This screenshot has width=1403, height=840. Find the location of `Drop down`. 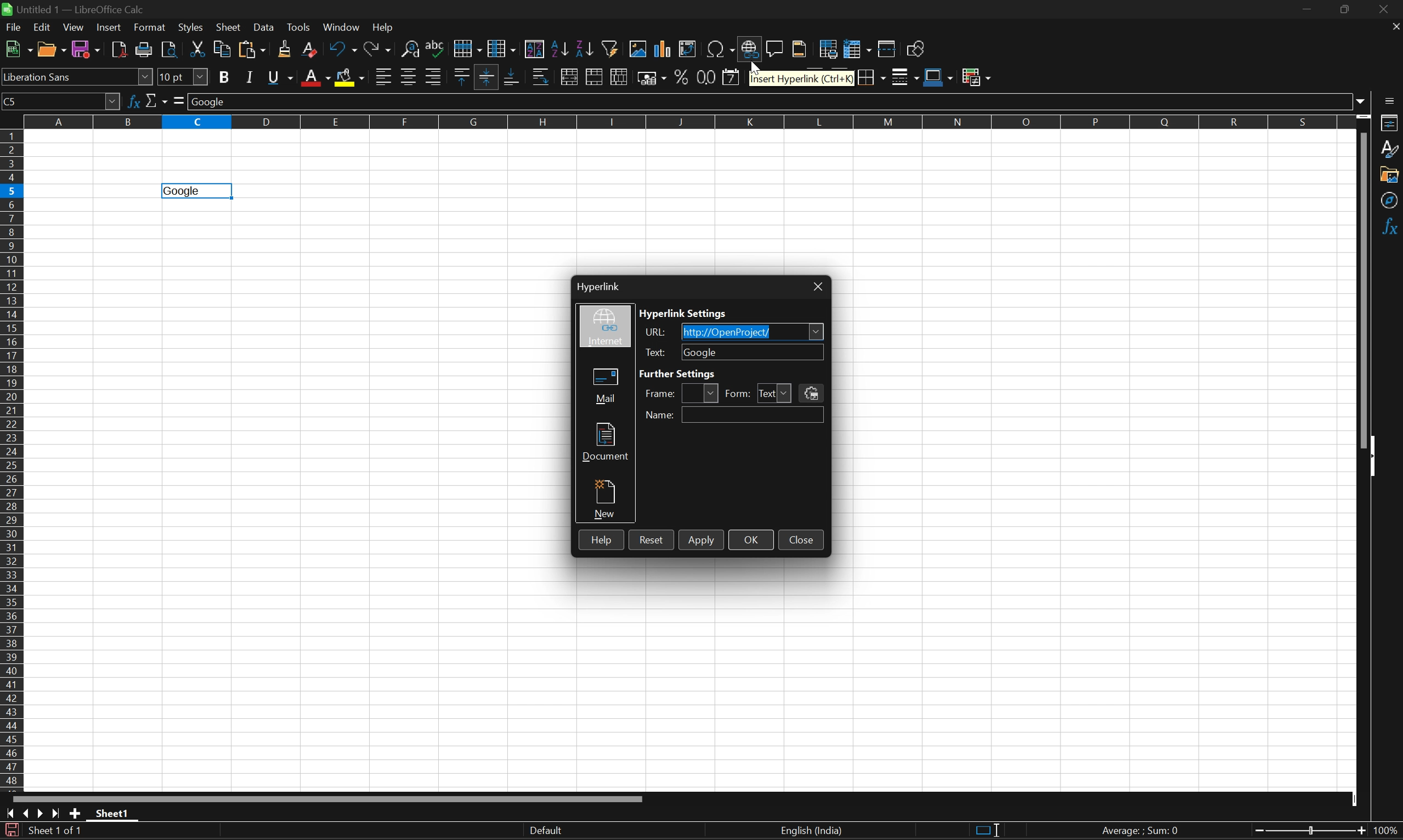

Drop down is located at coordinates (1361, 100).